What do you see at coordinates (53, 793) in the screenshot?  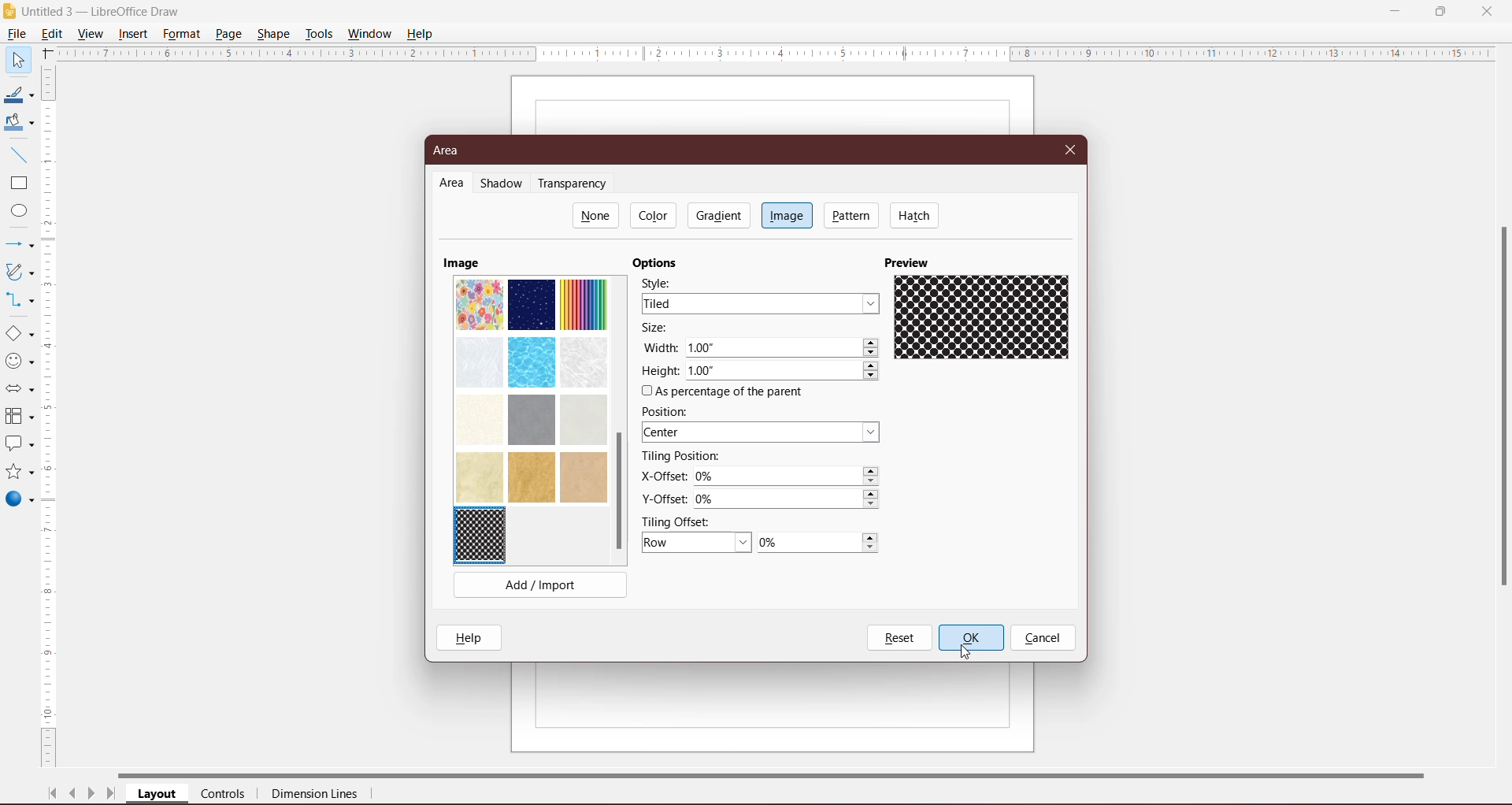 I see `Scroll to first page` at bounding box center [53, 793].